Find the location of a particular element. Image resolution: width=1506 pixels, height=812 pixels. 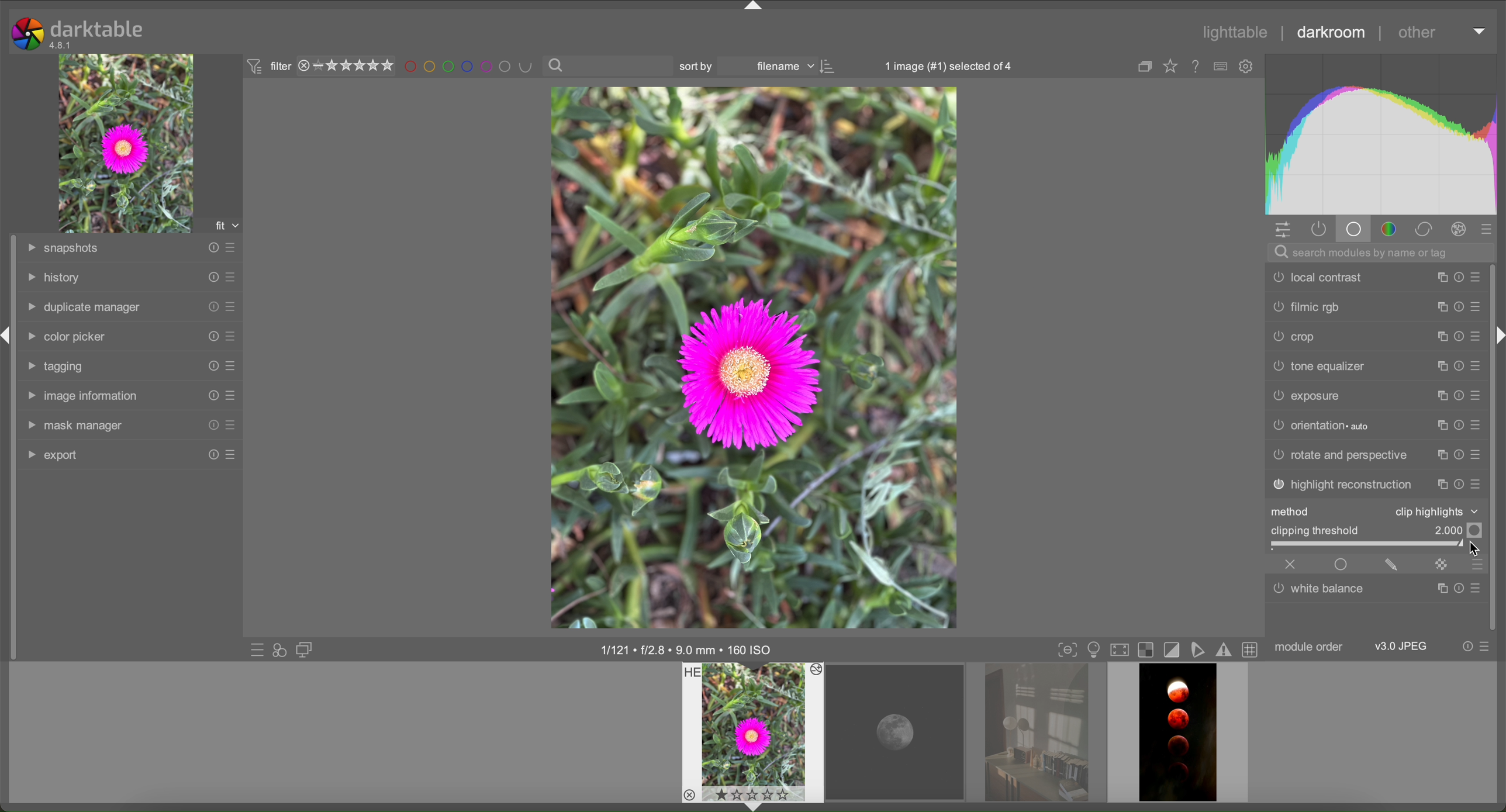

preview is located at coordinates (754, 732).